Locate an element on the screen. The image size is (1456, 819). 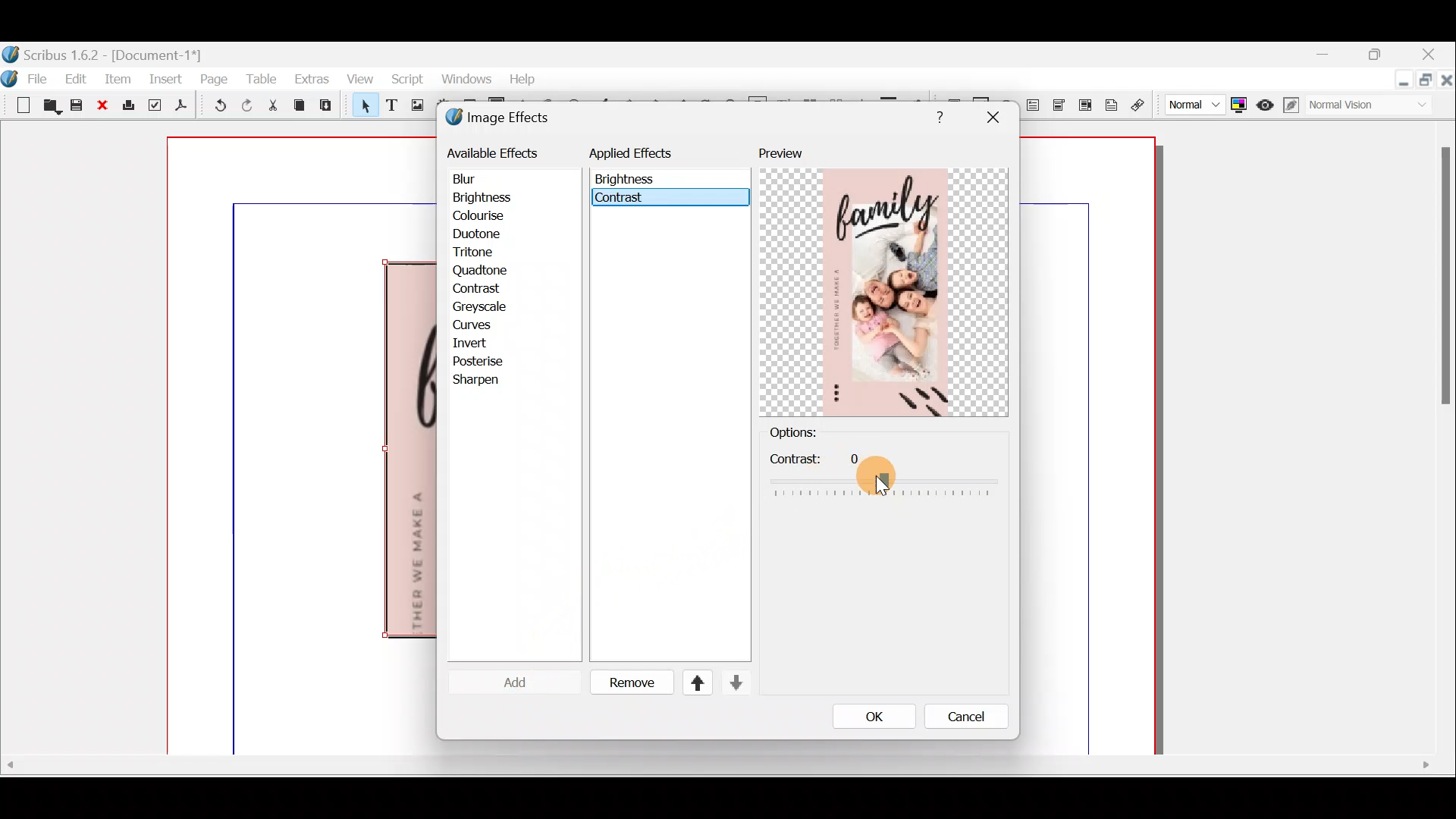
Document name is located at coordinates (104, 53).